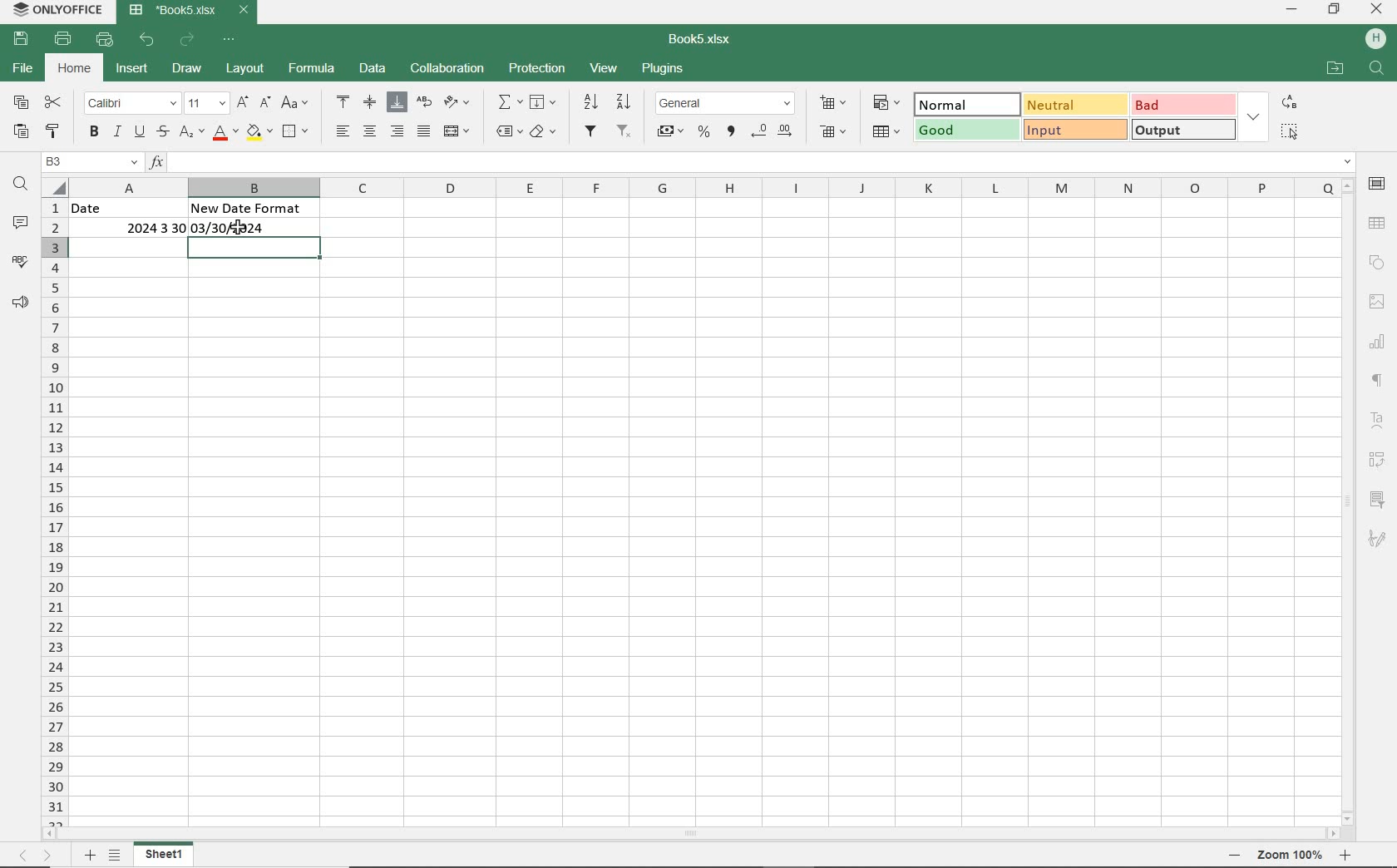 The height and width of the screenshot is (868, 1397). Describe the element at coordinates (886, 131) in the screenshot. I see `FORMAT AS TABLE TEMPLATE` at that location.